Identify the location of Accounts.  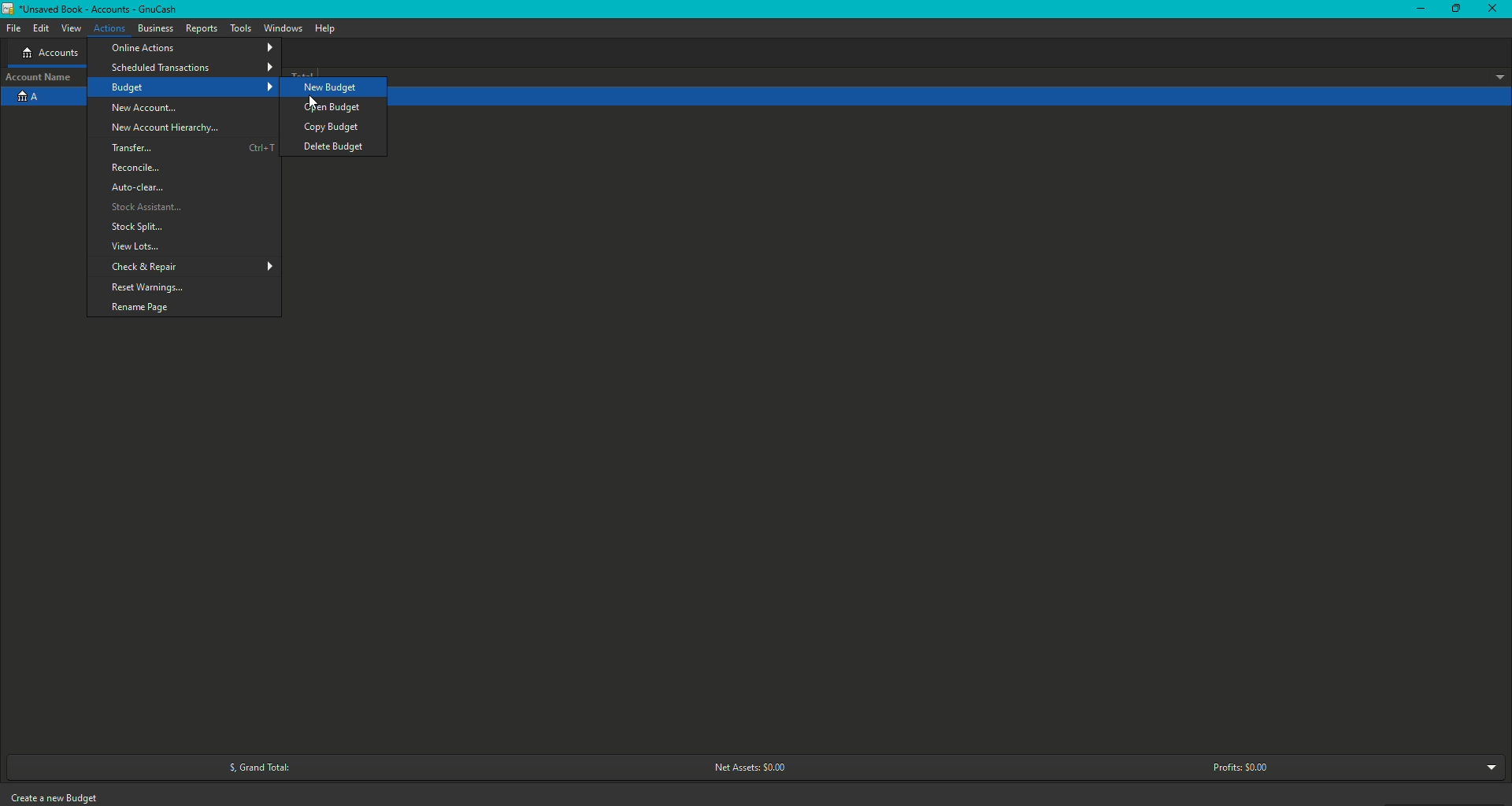
(52, 54).